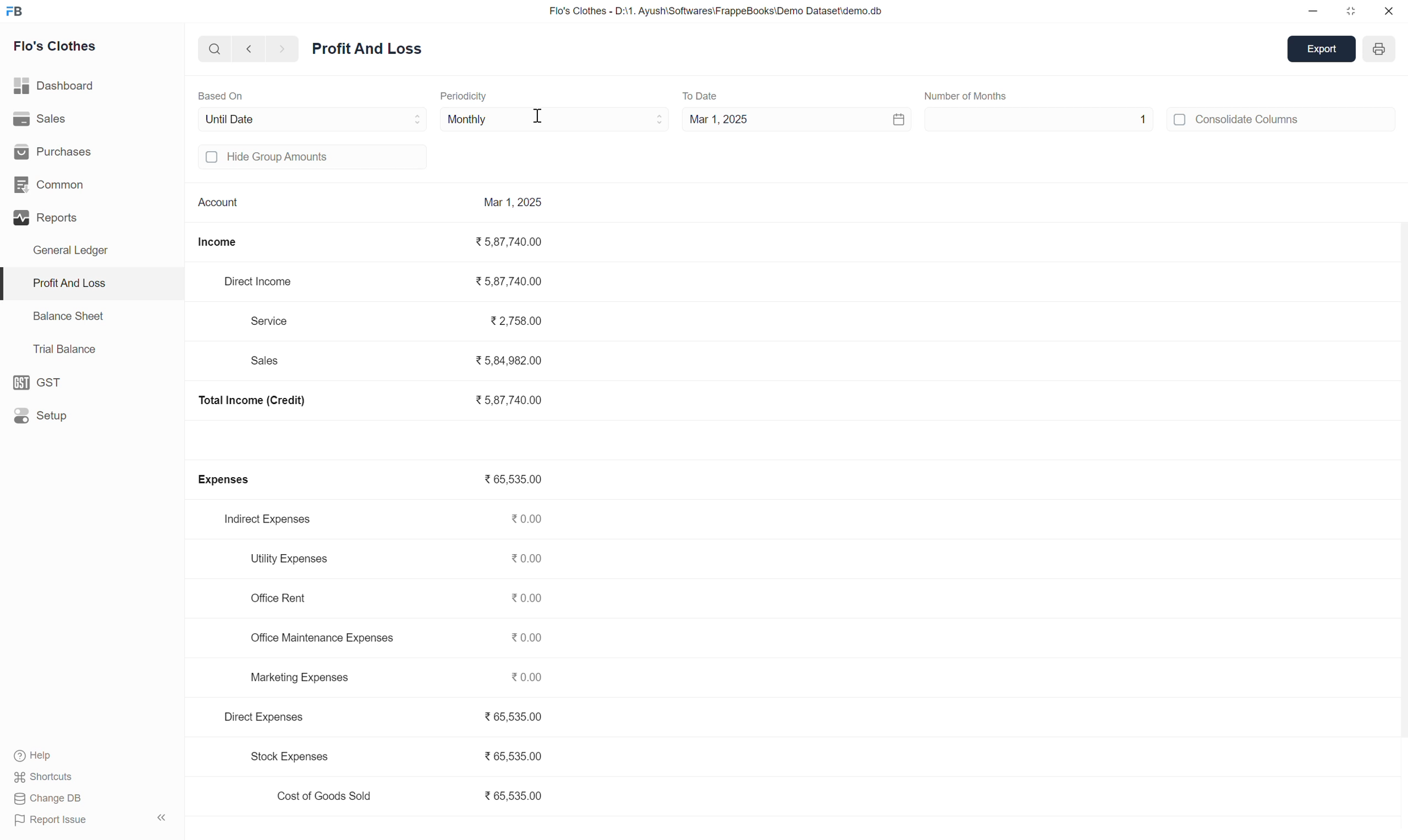 The width and height of the screenshot is (1408, 840). Describe the element at coordinates (516, 242) in the screenshot. I see `₹5,87,740.00` at that location.